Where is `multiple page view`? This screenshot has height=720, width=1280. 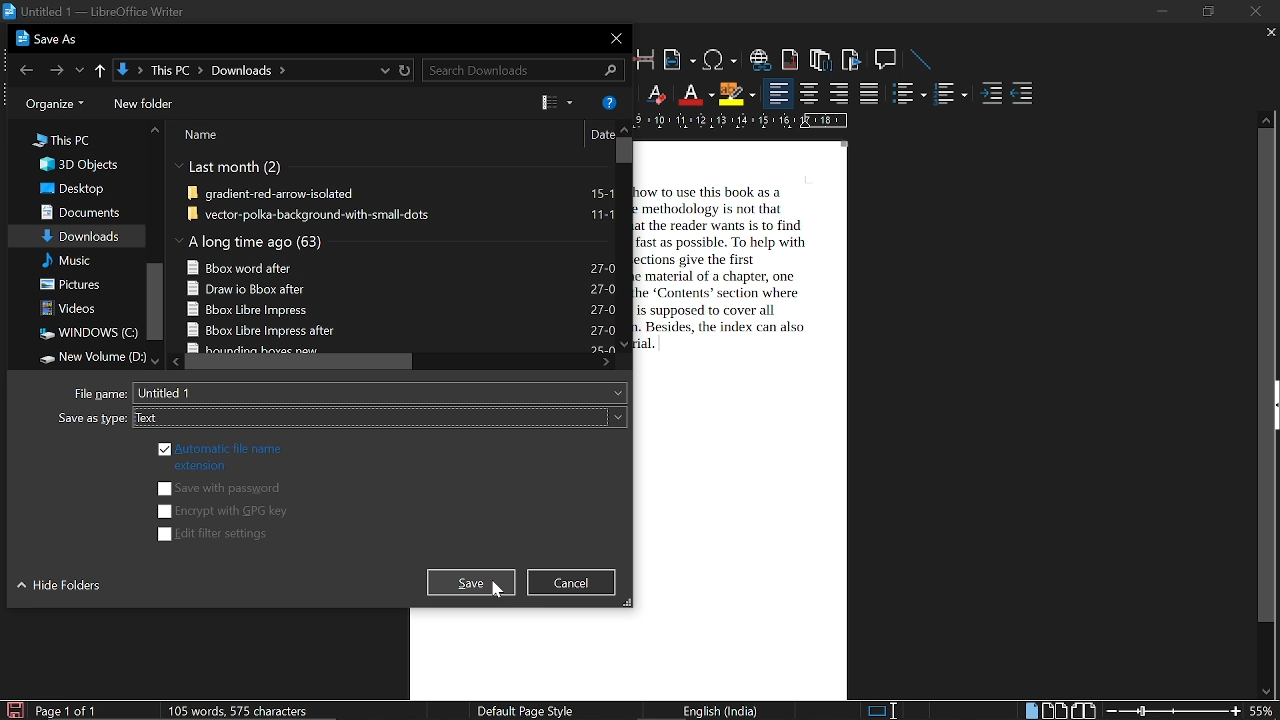 multiple page view is located at coordinates (1054, 711).